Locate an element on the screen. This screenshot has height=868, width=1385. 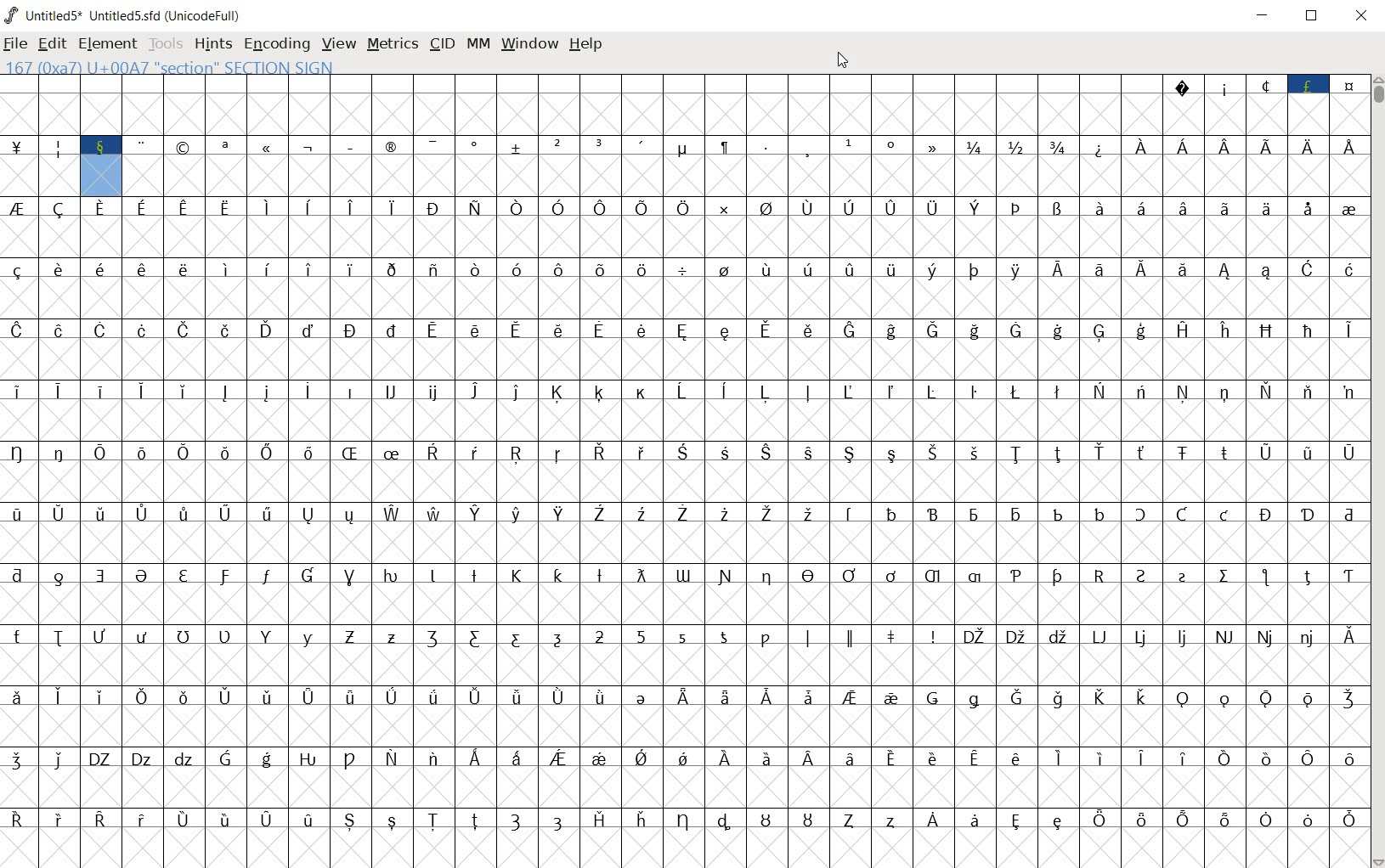
Latin extended characters is located at coordinates (619, 349).